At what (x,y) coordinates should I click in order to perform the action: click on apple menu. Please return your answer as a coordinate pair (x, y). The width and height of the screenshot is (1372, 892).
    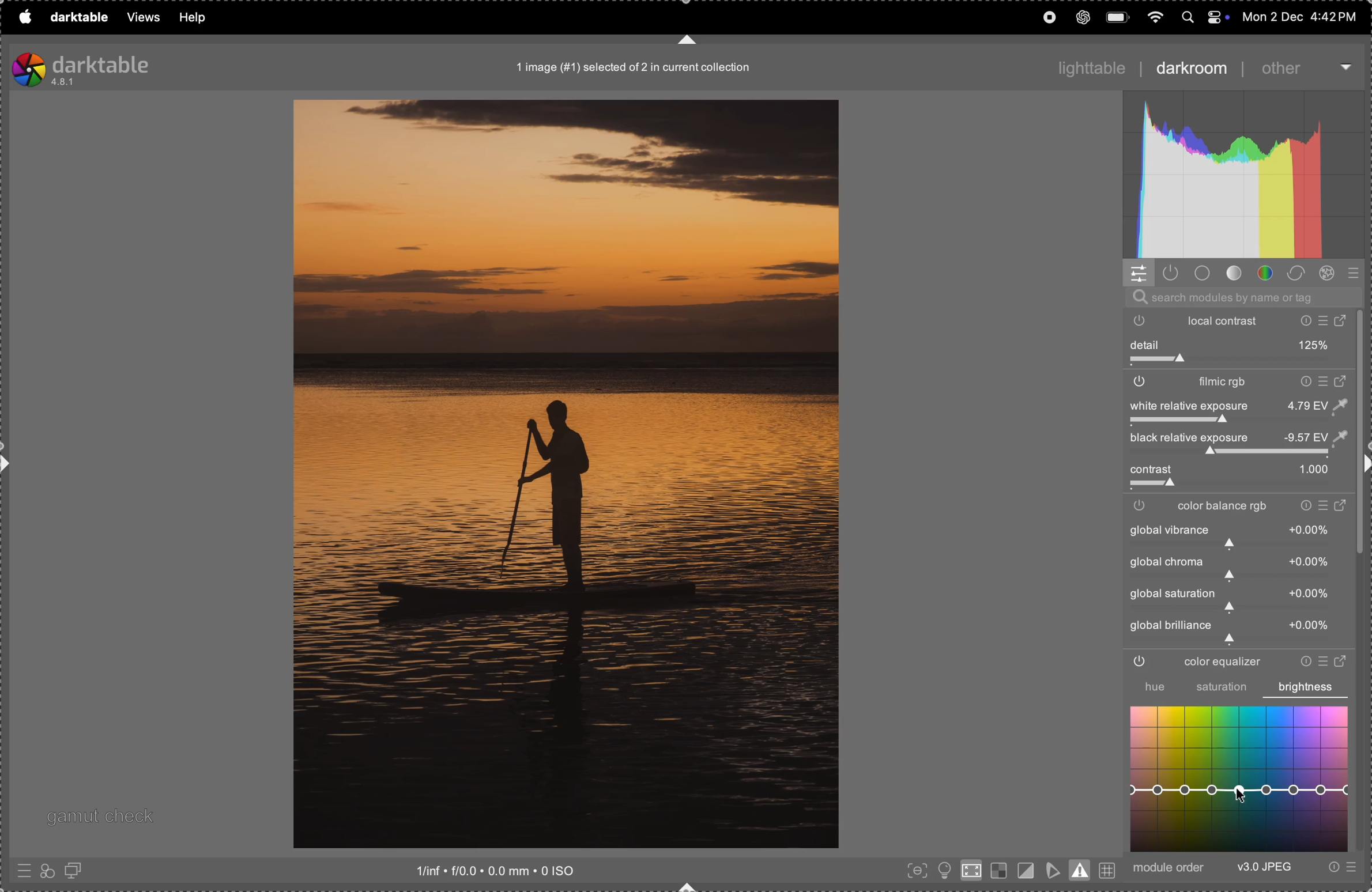
    Looking at the image, I should click on (24, 17).